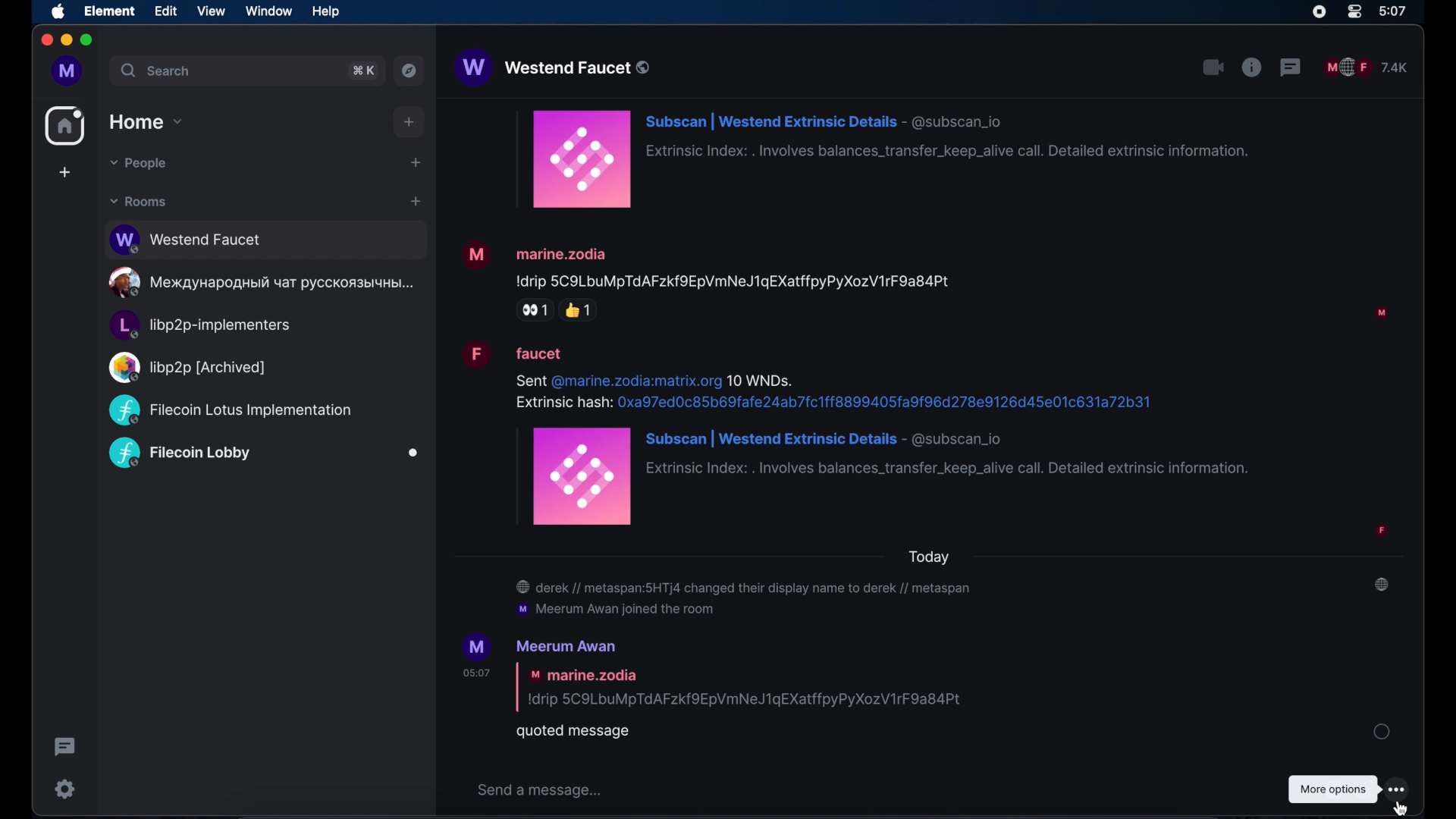 The width and height of the screenshot is (1456, 819). Describe the element at coordinates (266, 240) in the screenshot. I see `public room` at that location.